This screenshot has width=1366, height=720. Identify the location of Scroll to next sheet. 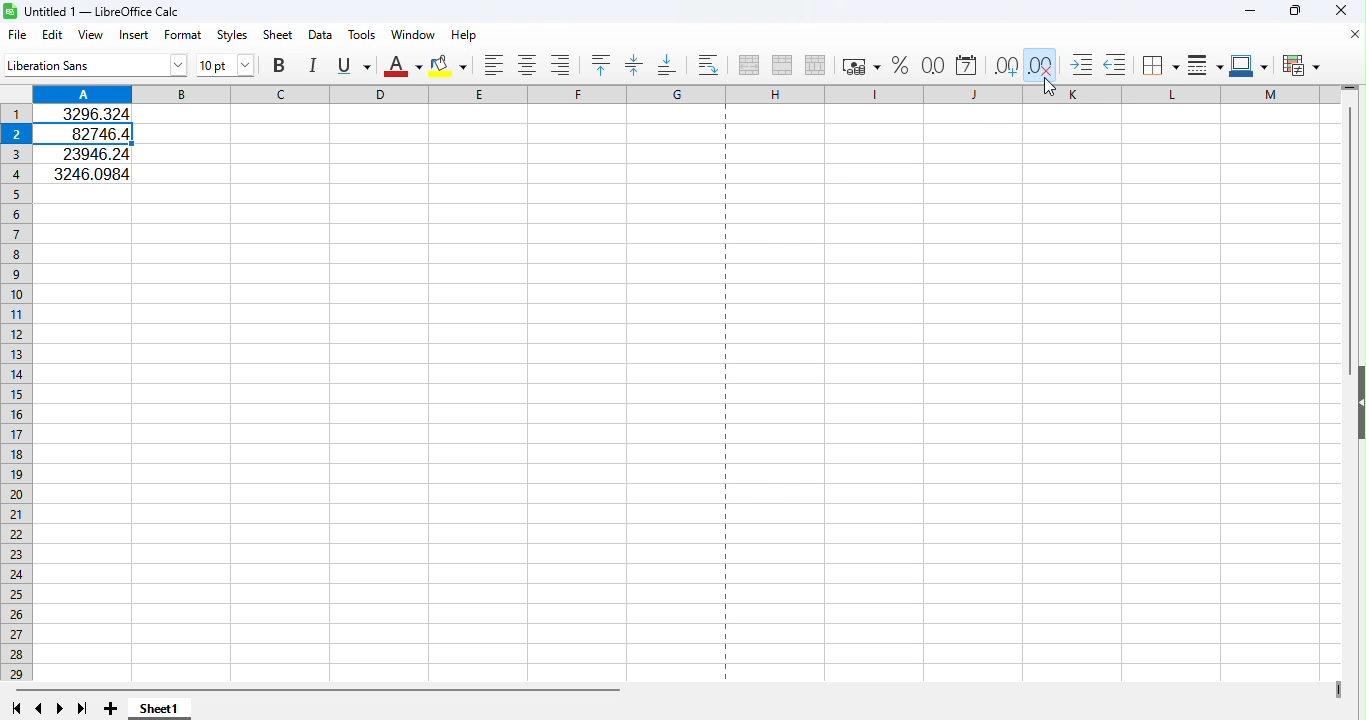
(63, 709).